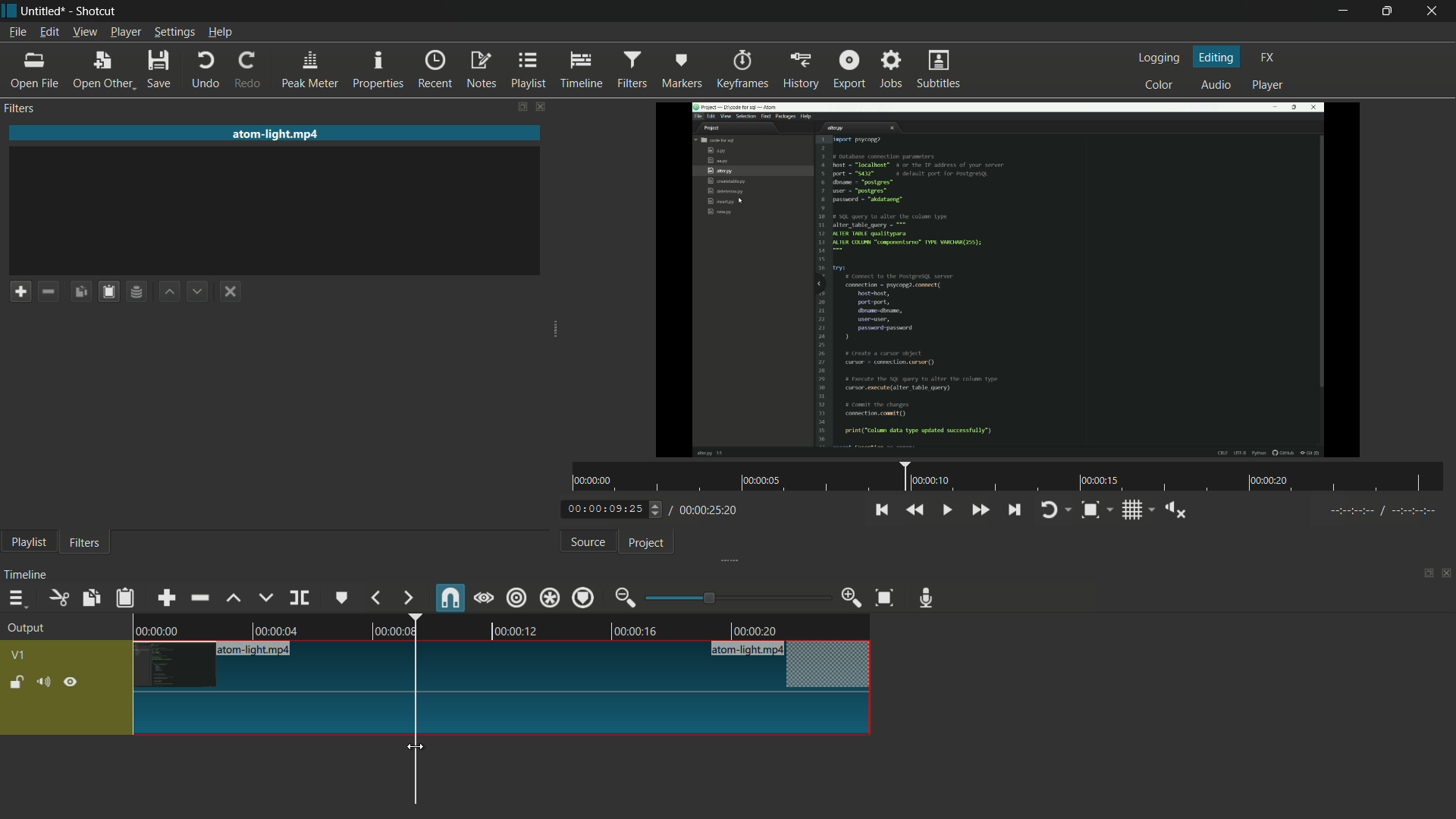 The width and height of the screenshot is (1456, 819). What do you see at coordinates (504, 625) in the screenshot?
I see `video in timeline` at bounding box center [504, 625].